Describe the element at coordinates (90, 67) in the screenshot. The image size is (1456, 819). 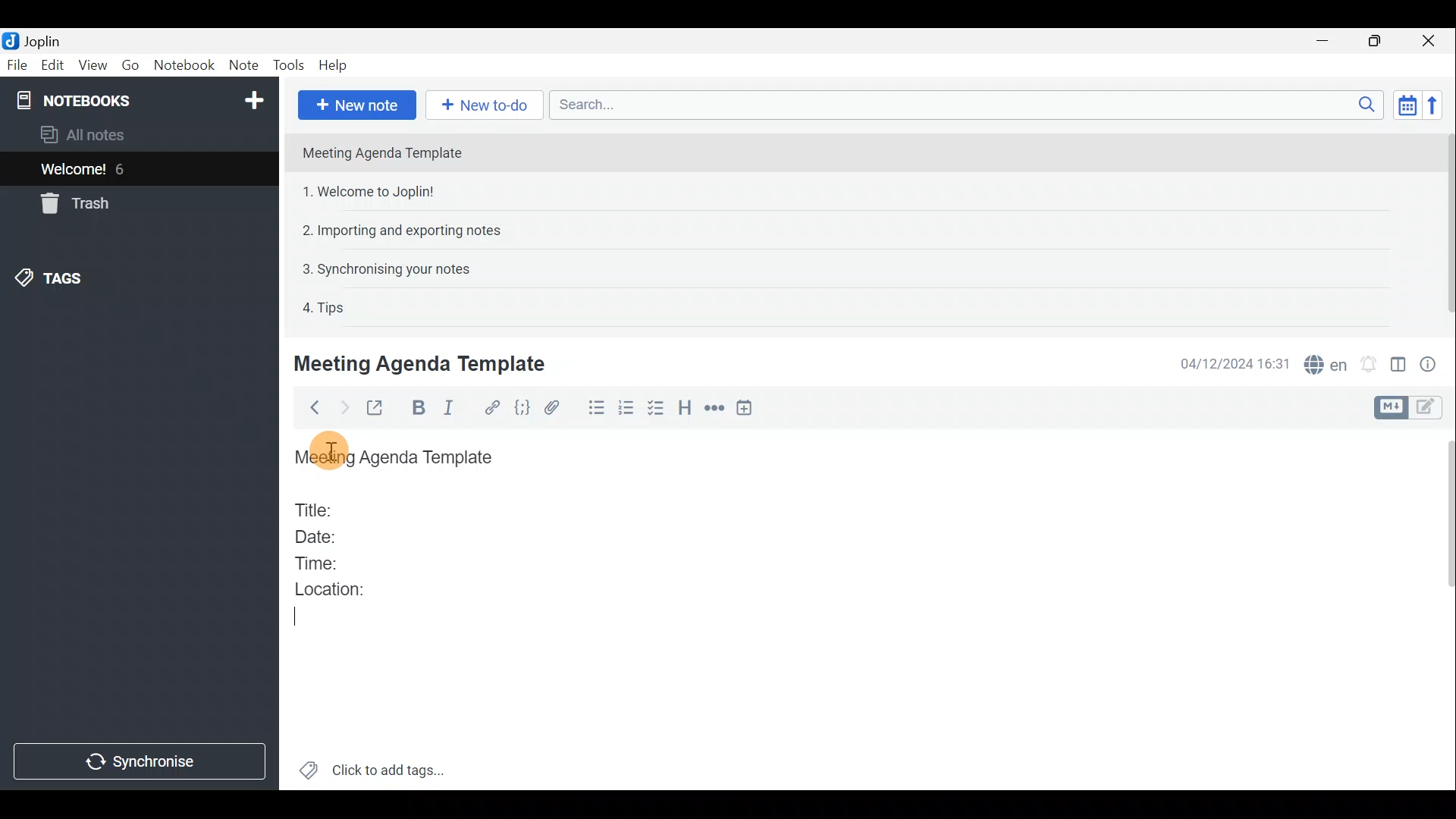
I see `View` at that location.